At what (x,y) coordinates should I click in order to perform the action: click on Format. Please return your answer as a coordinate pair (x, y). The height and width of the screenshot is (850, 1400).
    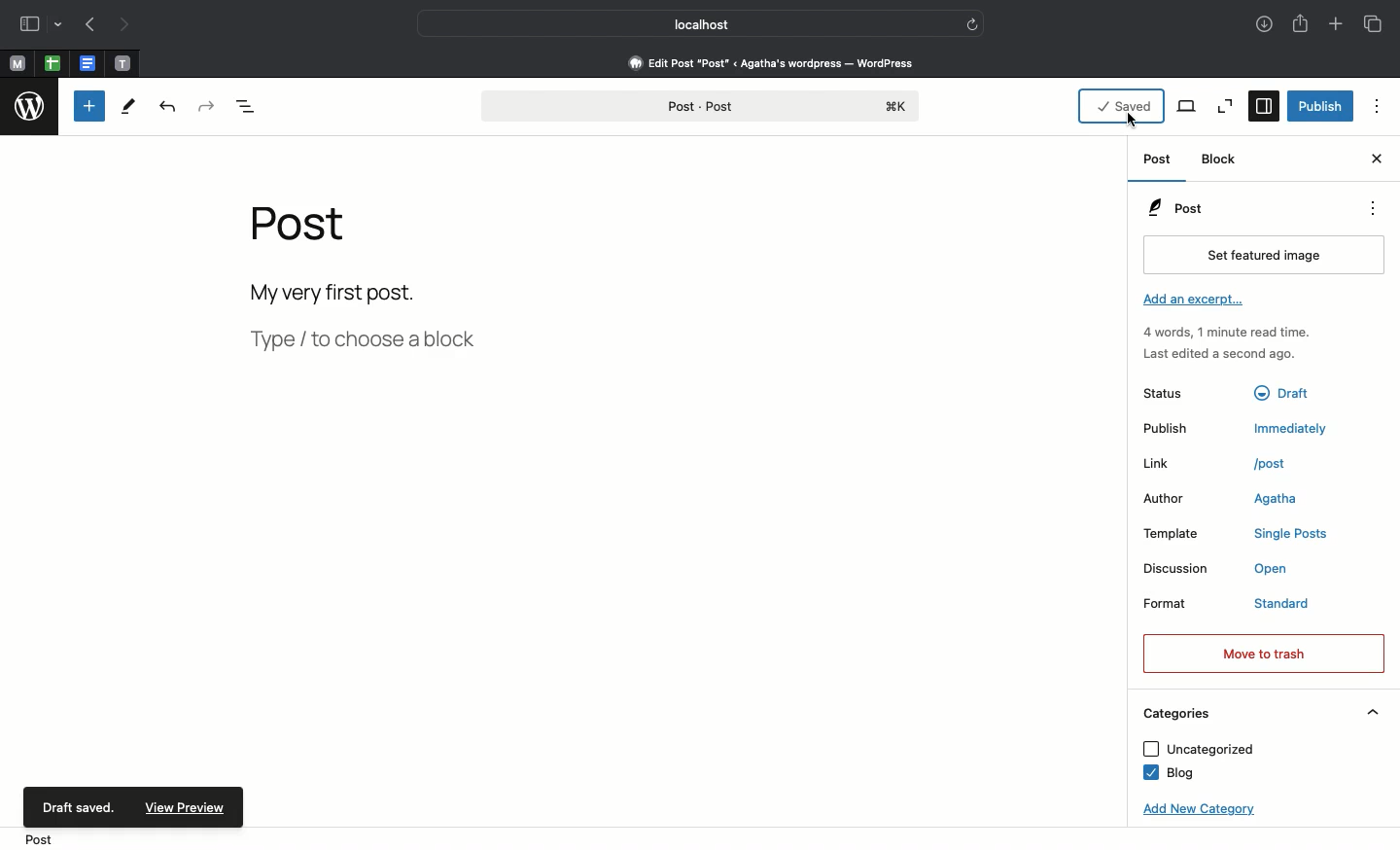
    Looking at the image, I should click on (1182, 607).